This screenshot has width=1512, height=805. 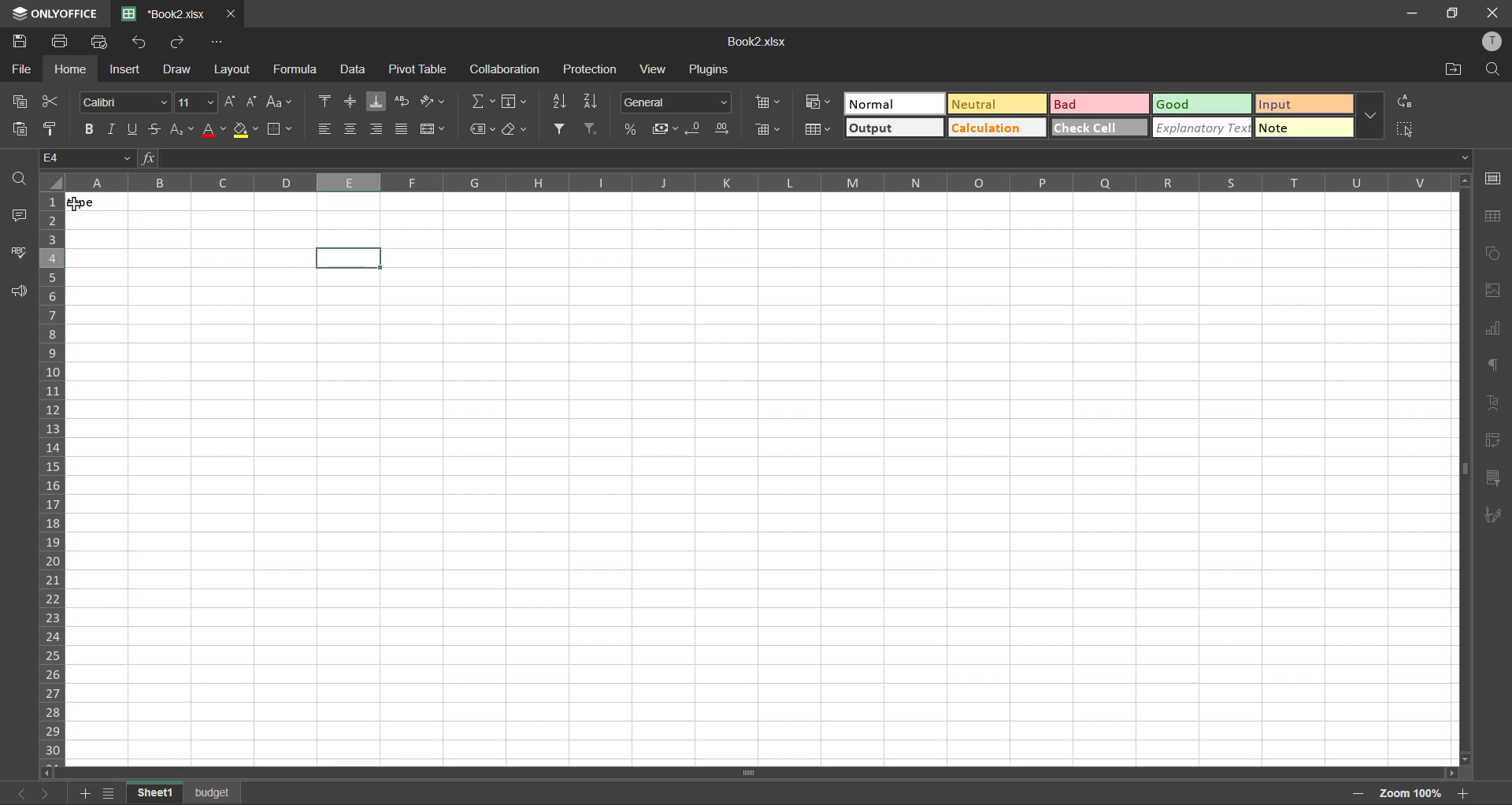 I want to click on filename, so click(x=161, y=14).